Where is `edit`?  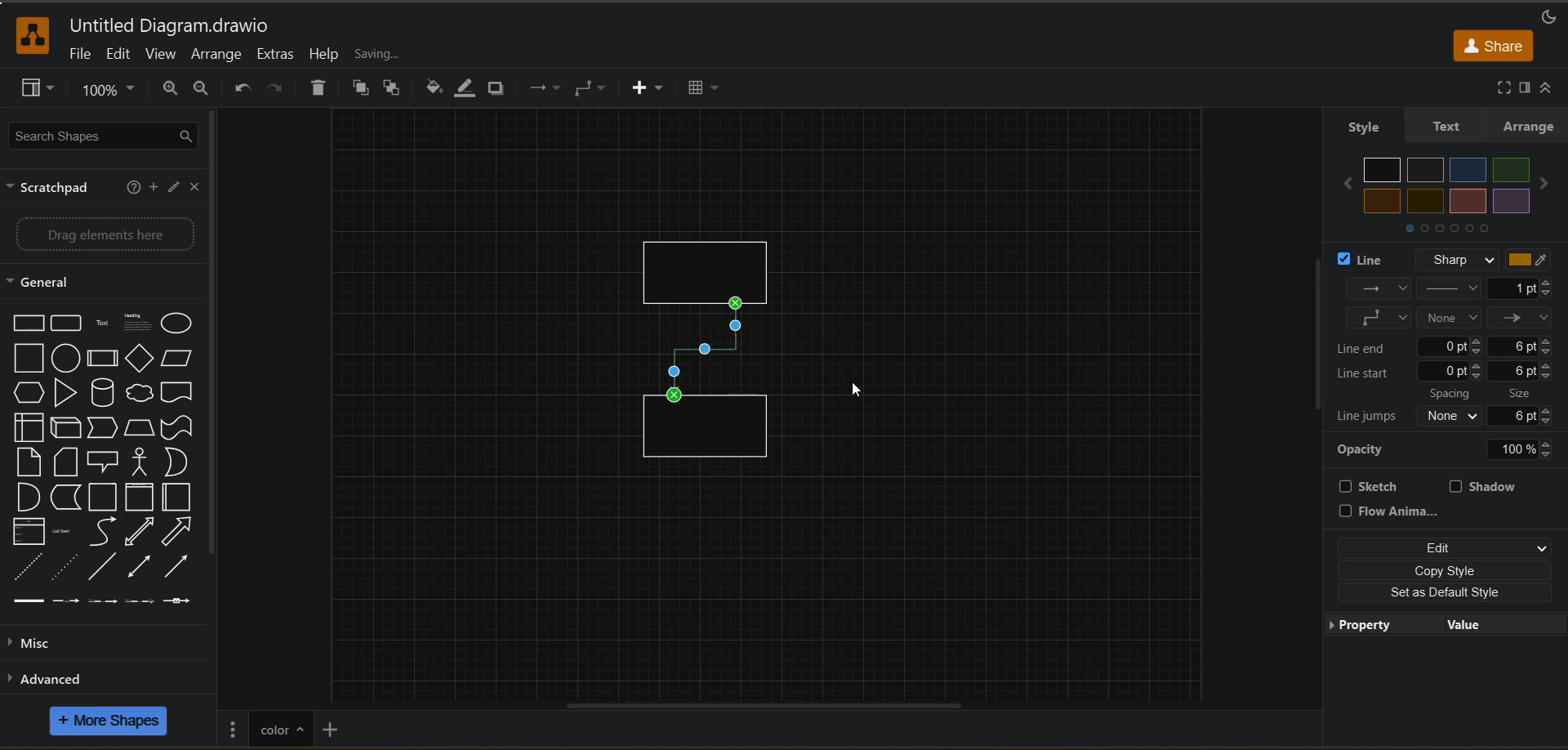 edit is located at coordinates (1445, 549).